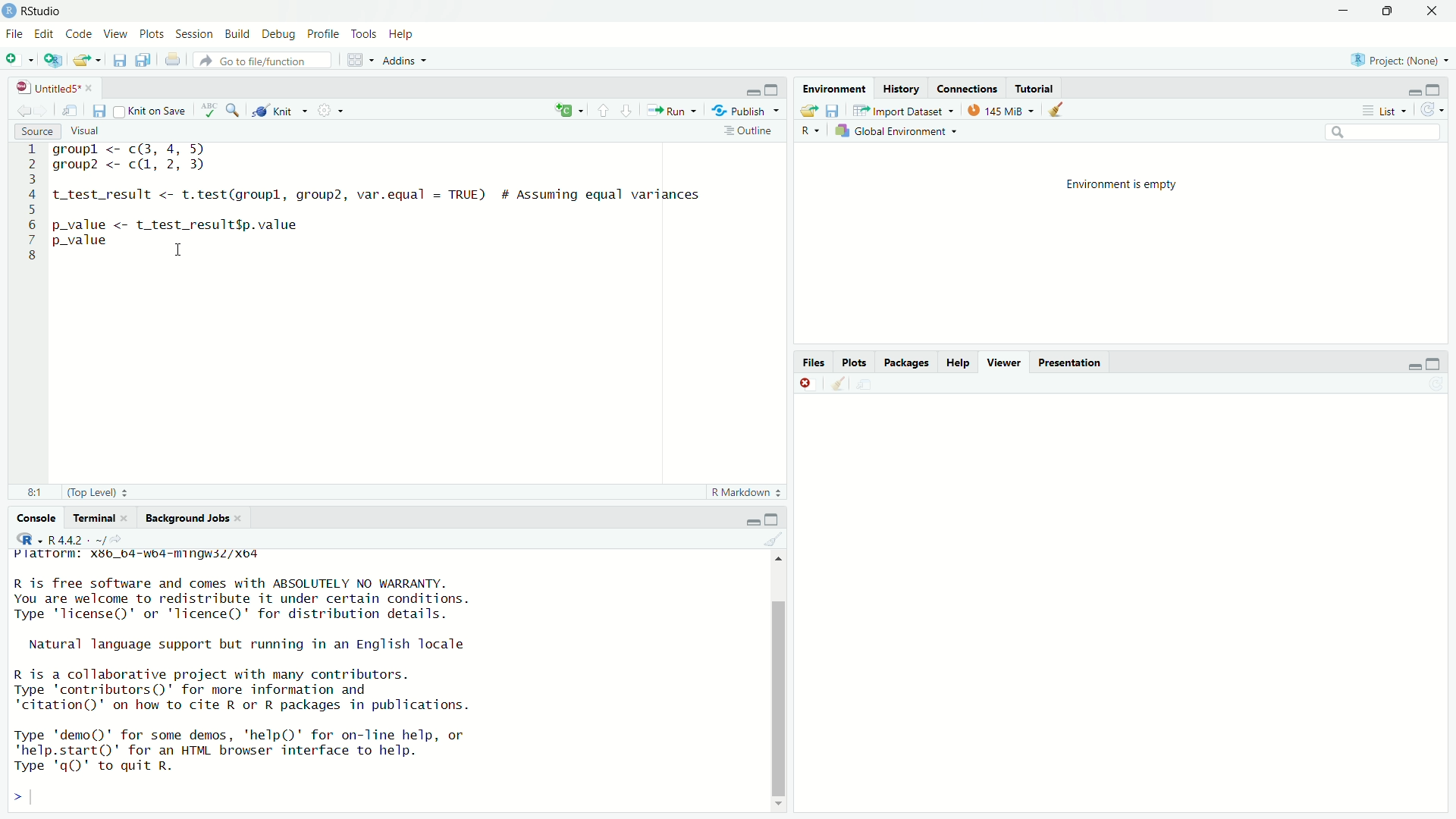 This screenshot has height=819, width=1456. What do you see at coordinates (1440, 86) in the screenshot?
I see `maximise` at bounding box center [1440, 86].